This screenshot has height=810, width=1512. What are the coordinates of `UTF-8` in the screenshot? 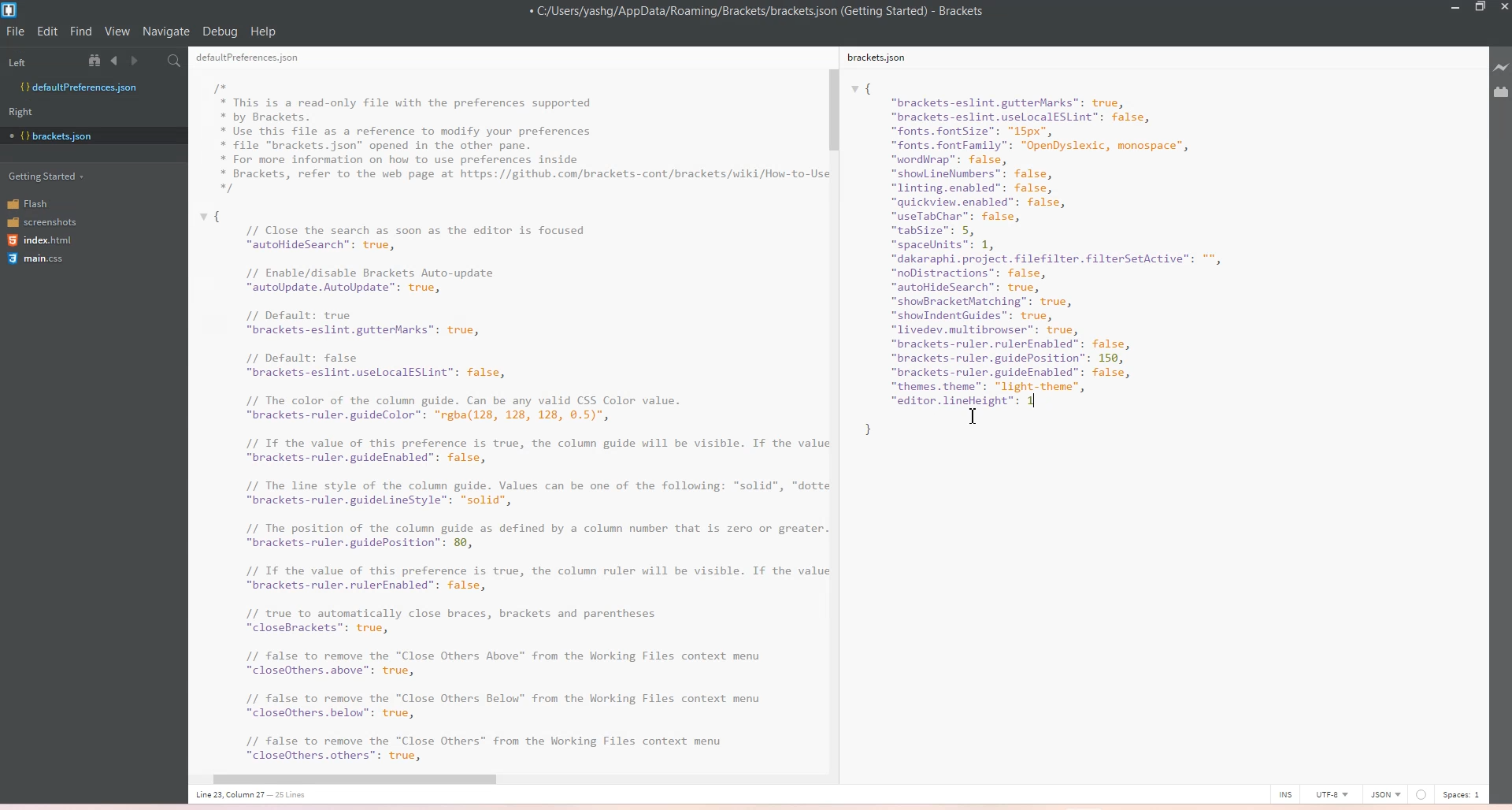 It's located at (1331, 793).